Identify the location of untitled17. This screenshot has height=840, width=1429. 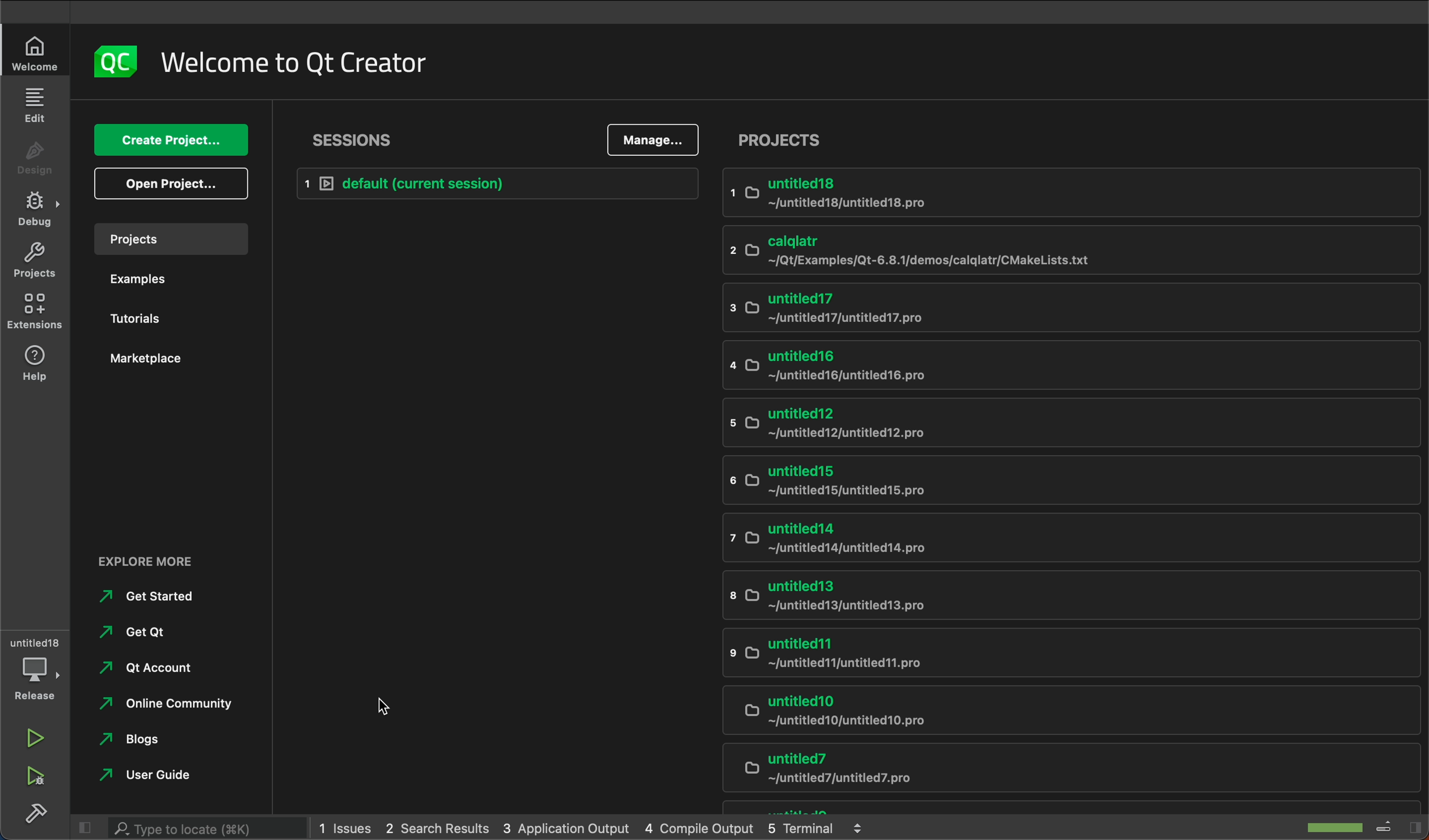
(986, 309).